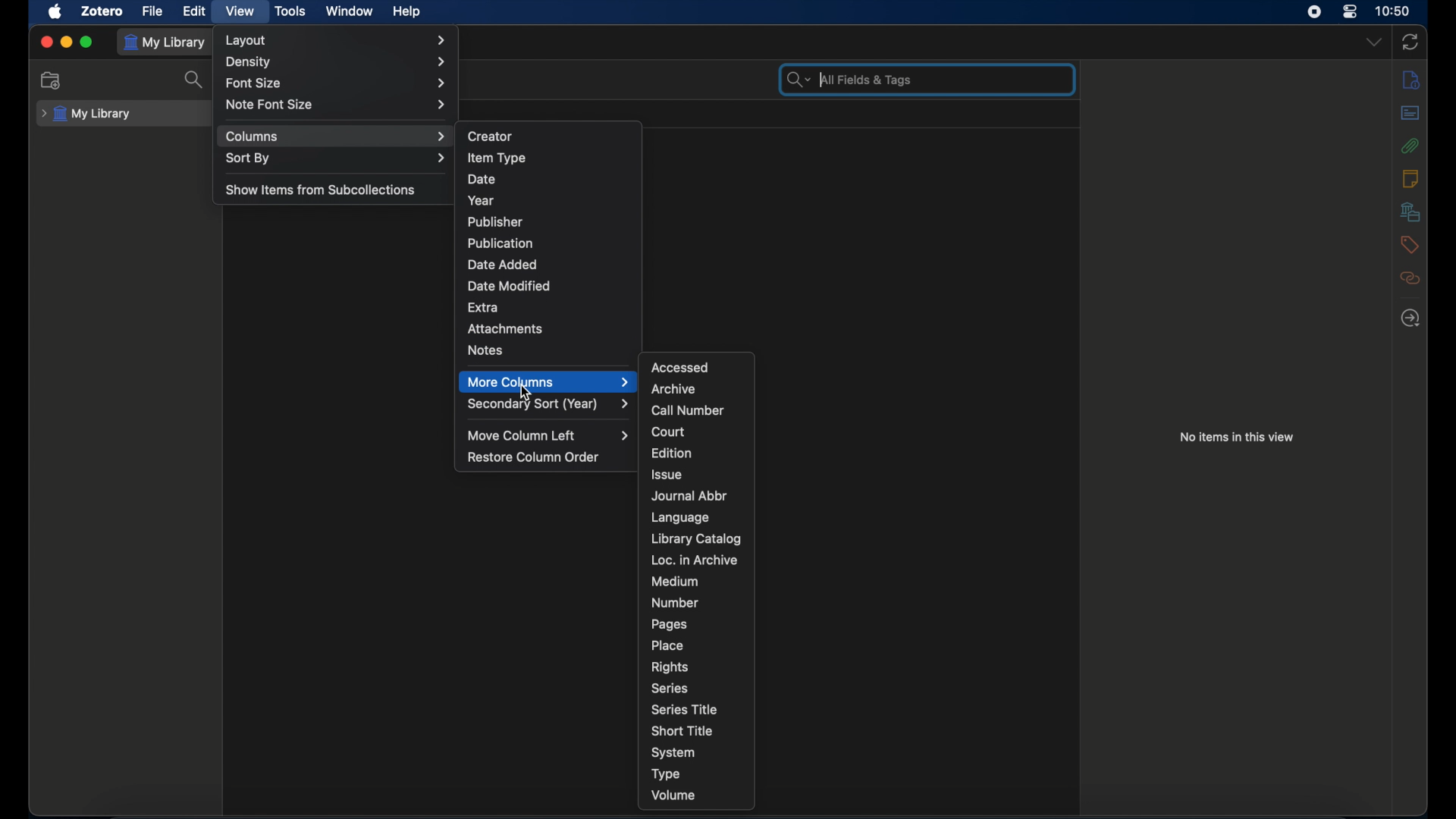  I want to click on sort by, so click(336, 158).